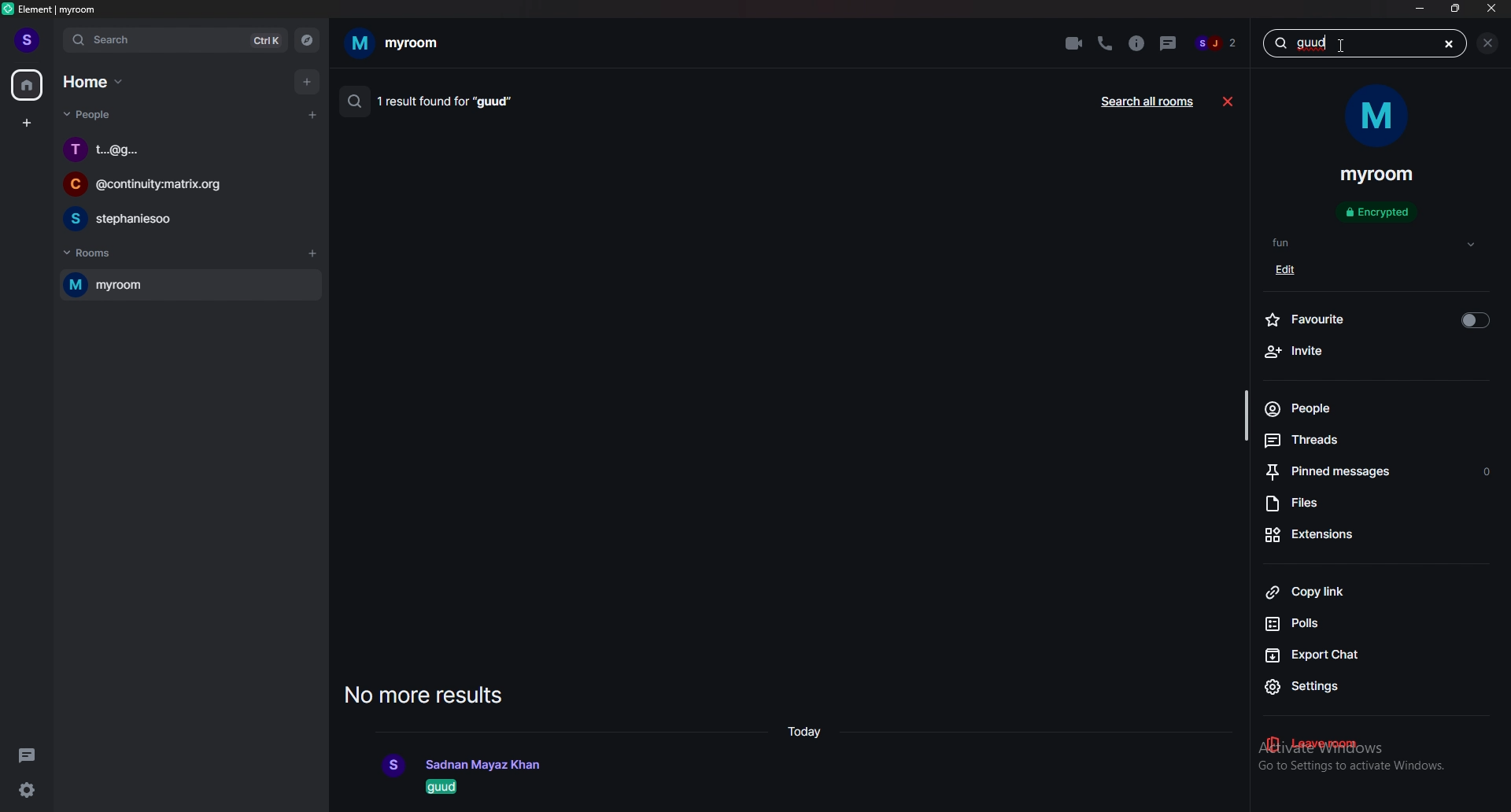 Image resolution: width=1511 pixels, height=812 pixels. I want to click on room name, so click(397, 42).